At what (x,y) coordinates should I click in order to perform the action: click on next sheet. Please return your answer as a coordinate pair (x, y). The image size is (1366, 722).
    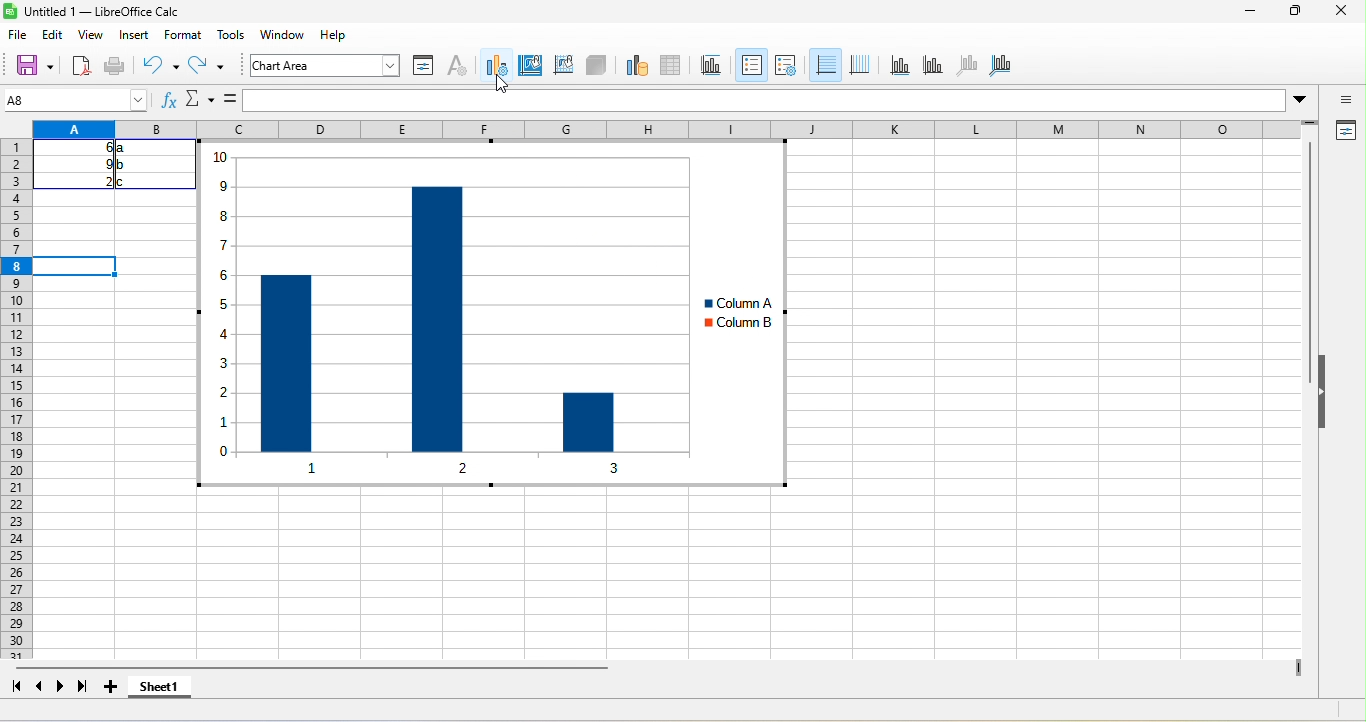
    Looking at the image, I should click on (59, 688).